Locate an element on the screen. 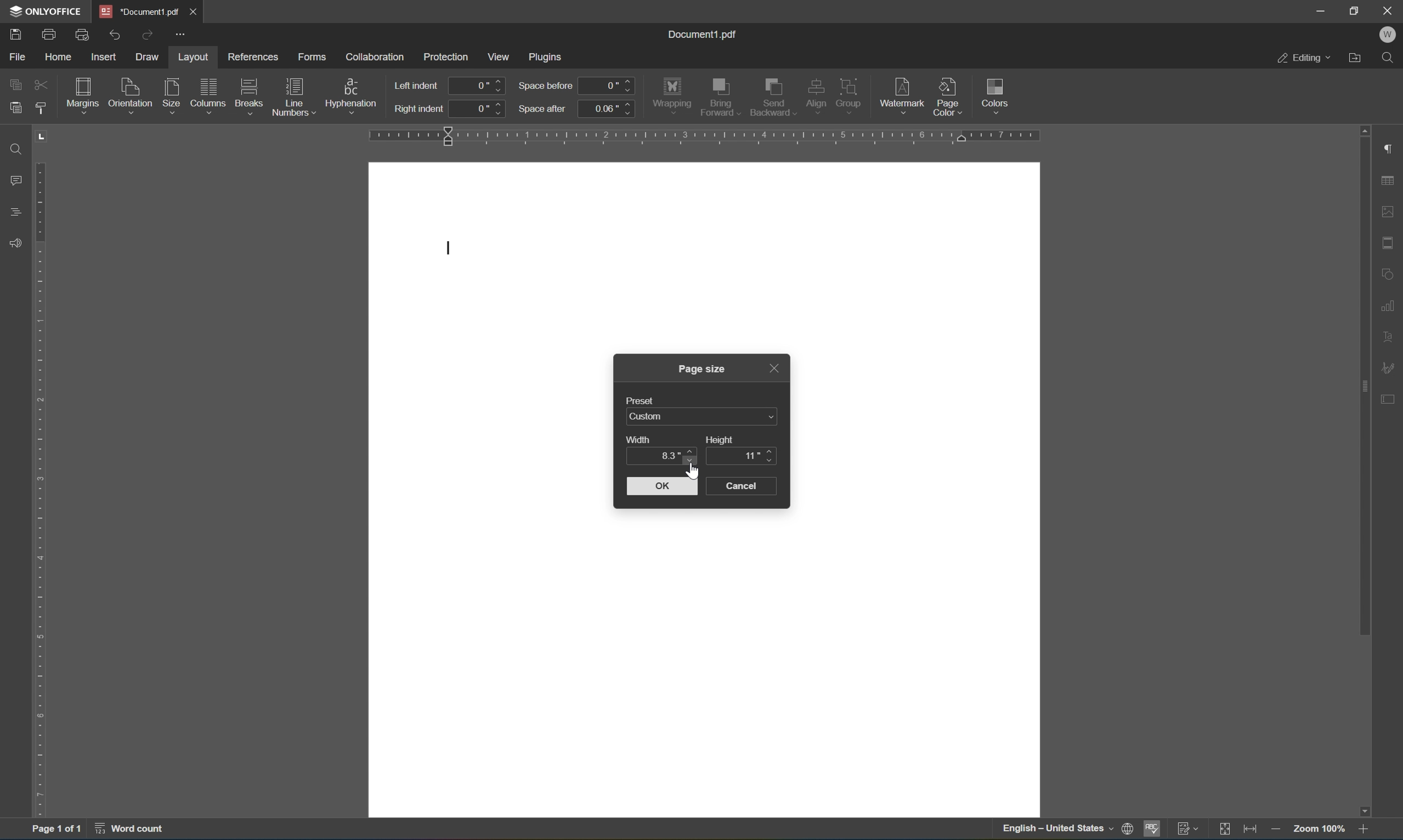 The image size is (1403, 840). layout is located at coordinates (192, 55).